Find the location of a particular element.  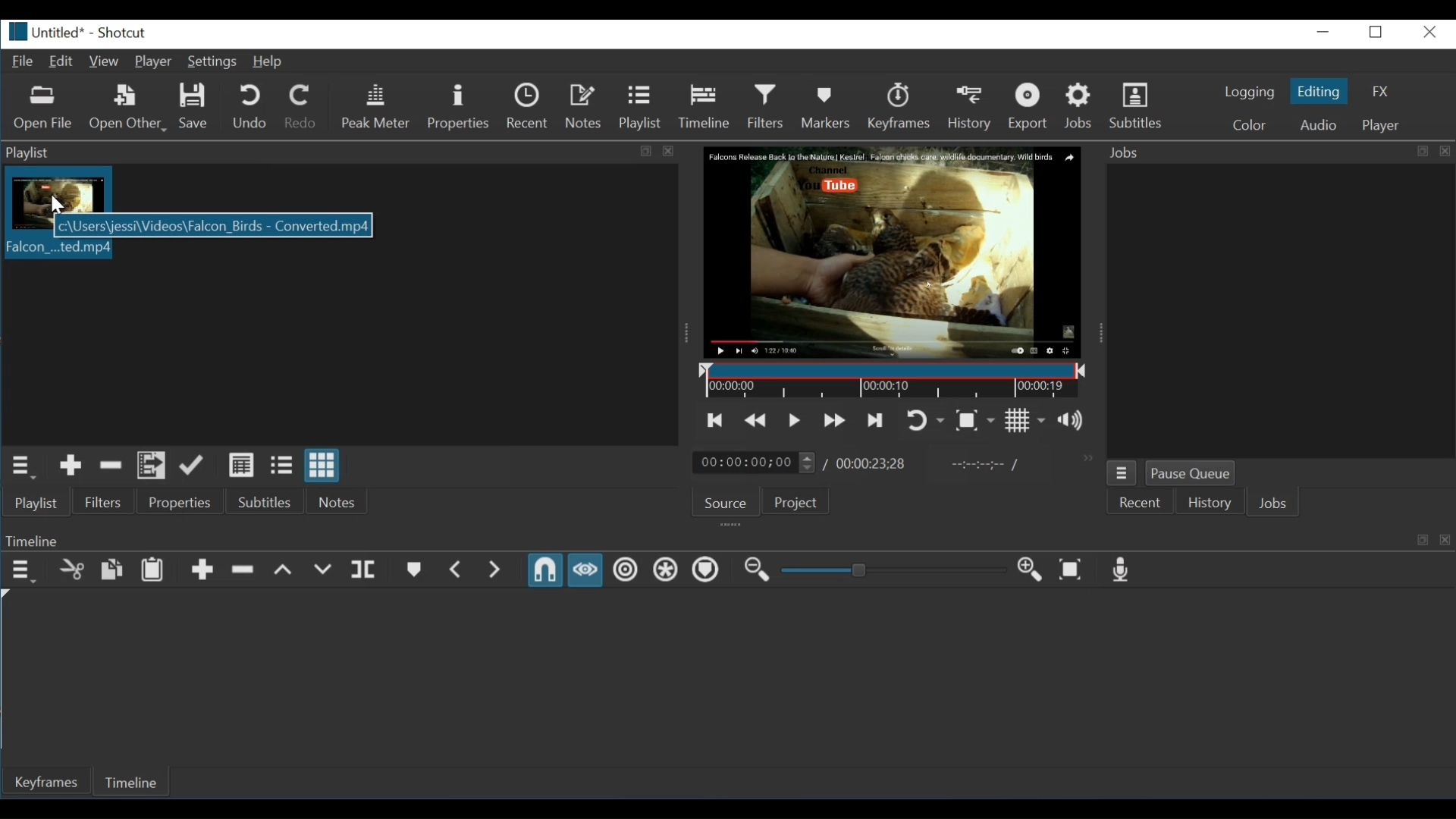

Redo is located at coordinates (301, 106).